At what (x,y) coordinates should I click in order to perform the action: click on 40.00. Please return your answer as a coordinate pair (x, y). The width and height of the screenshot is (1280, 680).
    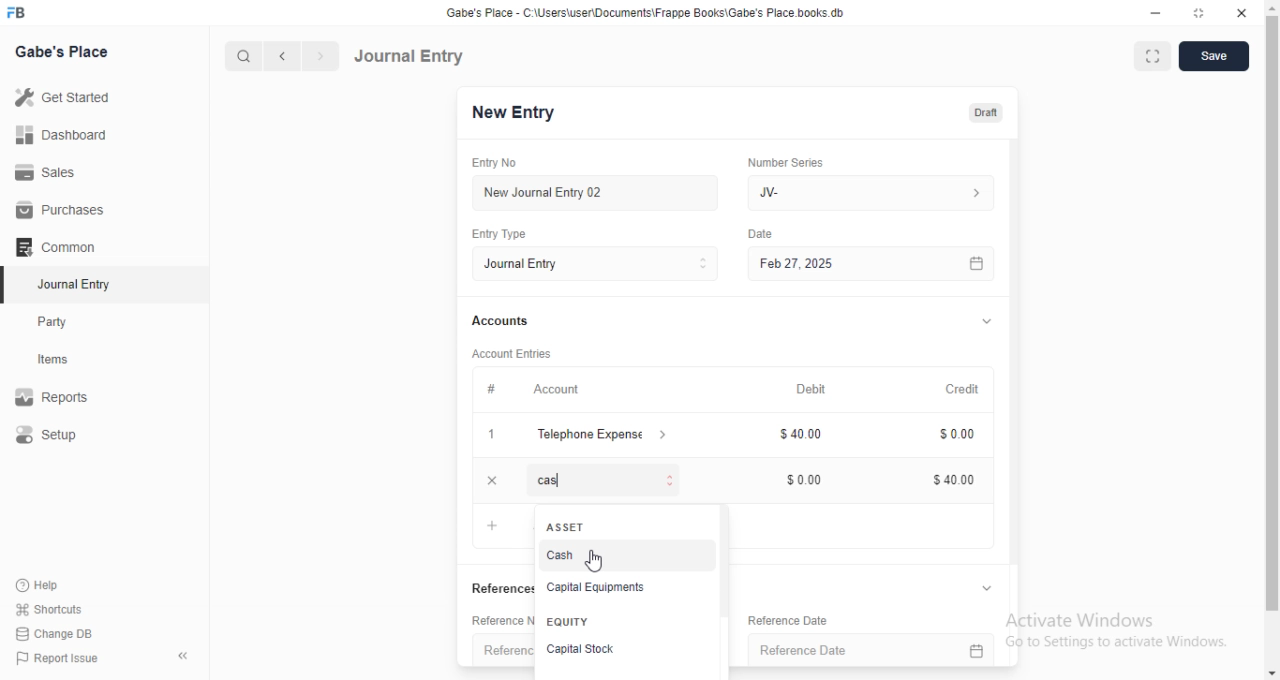
    Looking at the image, I should click on (953, 482).